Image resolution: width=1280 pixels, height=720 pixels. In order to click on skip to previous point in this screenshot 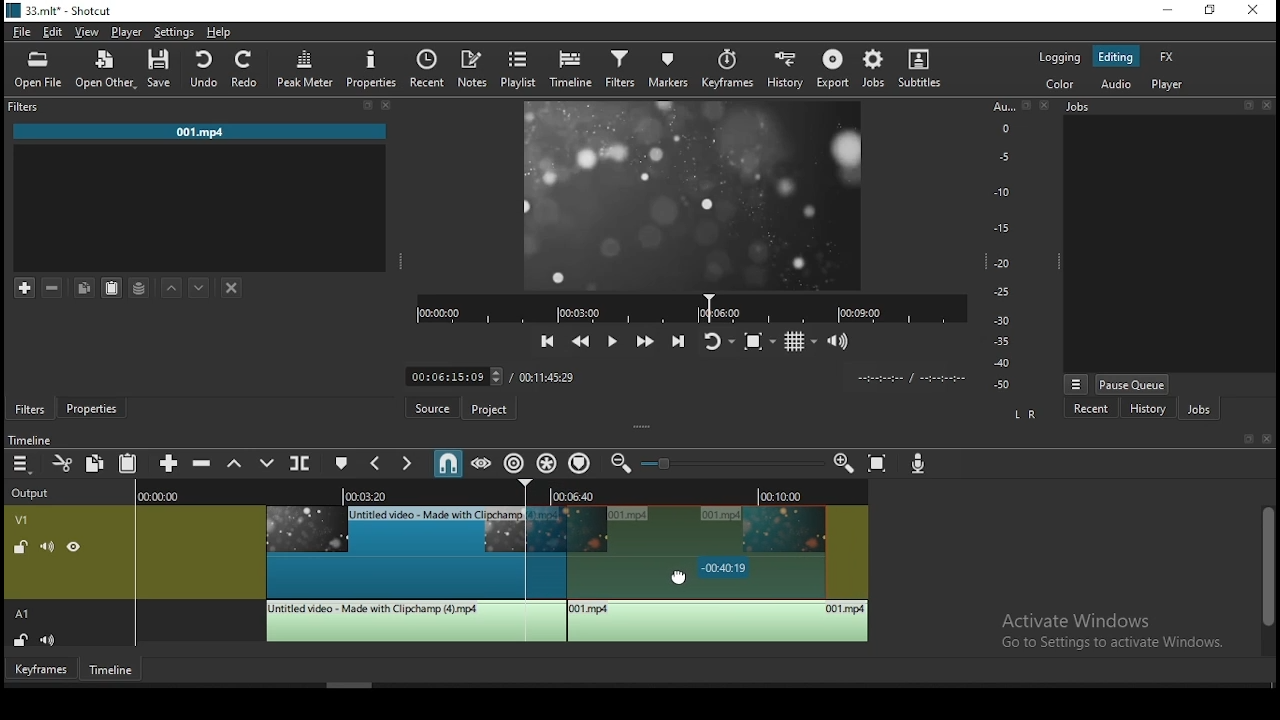, I will do `click(547, 338)`.